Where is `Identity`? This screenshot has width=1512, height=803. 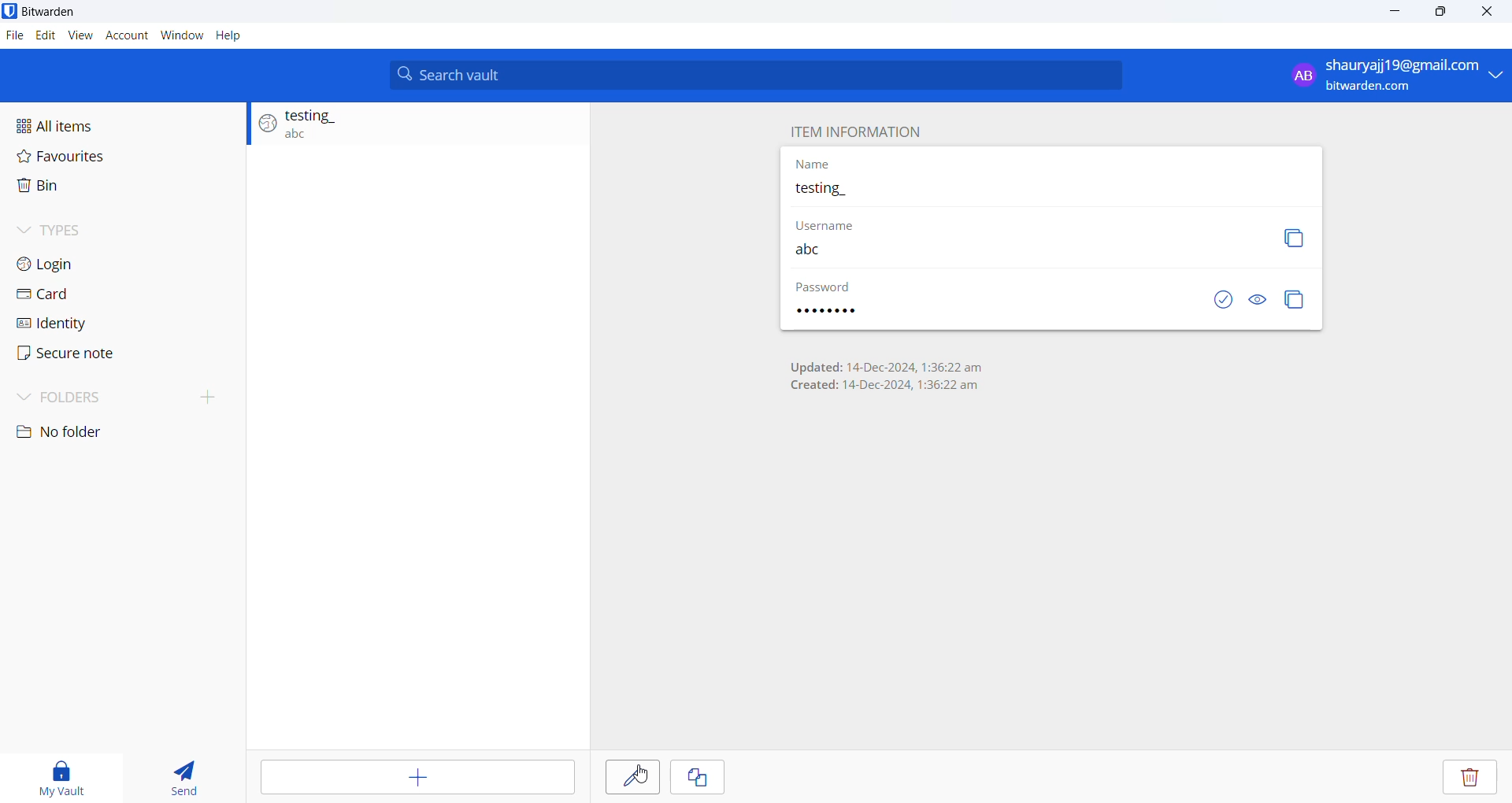 Identity is located at coordinates (98, 322).